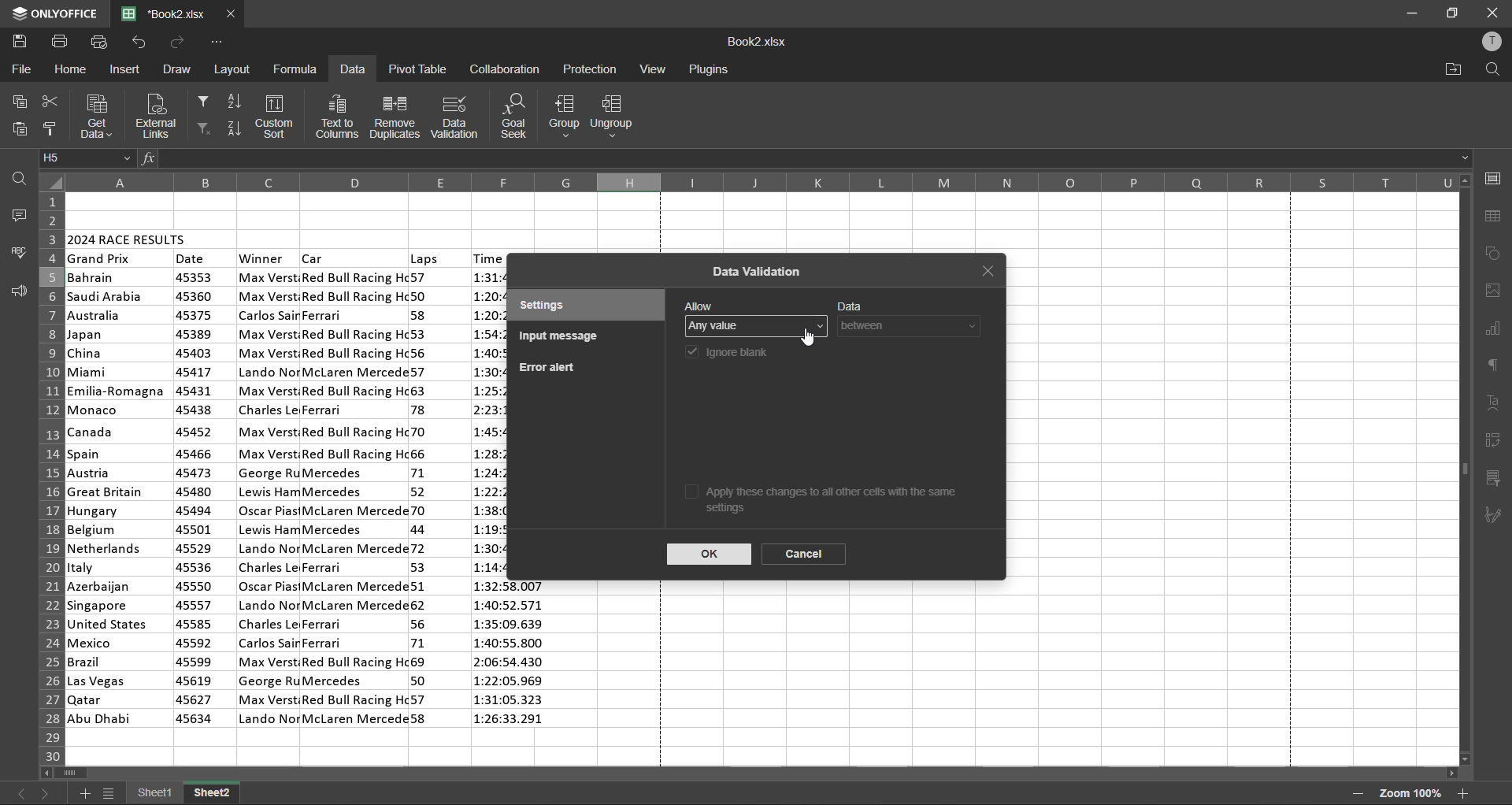 The image size is (1512, 805). Describe the element at coordinates (339, 117) in the screenshot. I see `text to columns` at that location.